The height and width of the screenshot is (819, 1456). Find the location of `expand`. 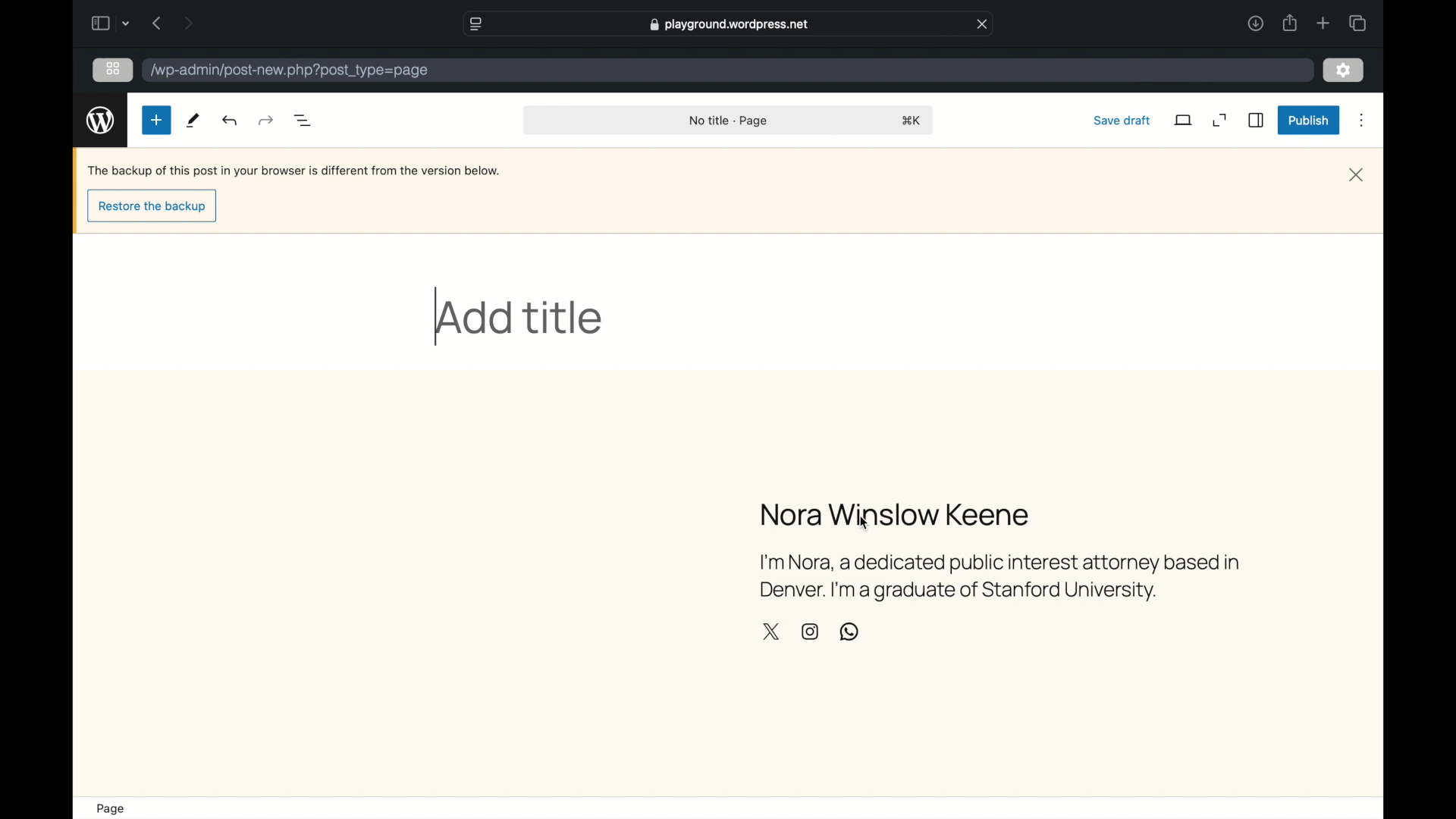

expand is located at coordinates (1219, 121).